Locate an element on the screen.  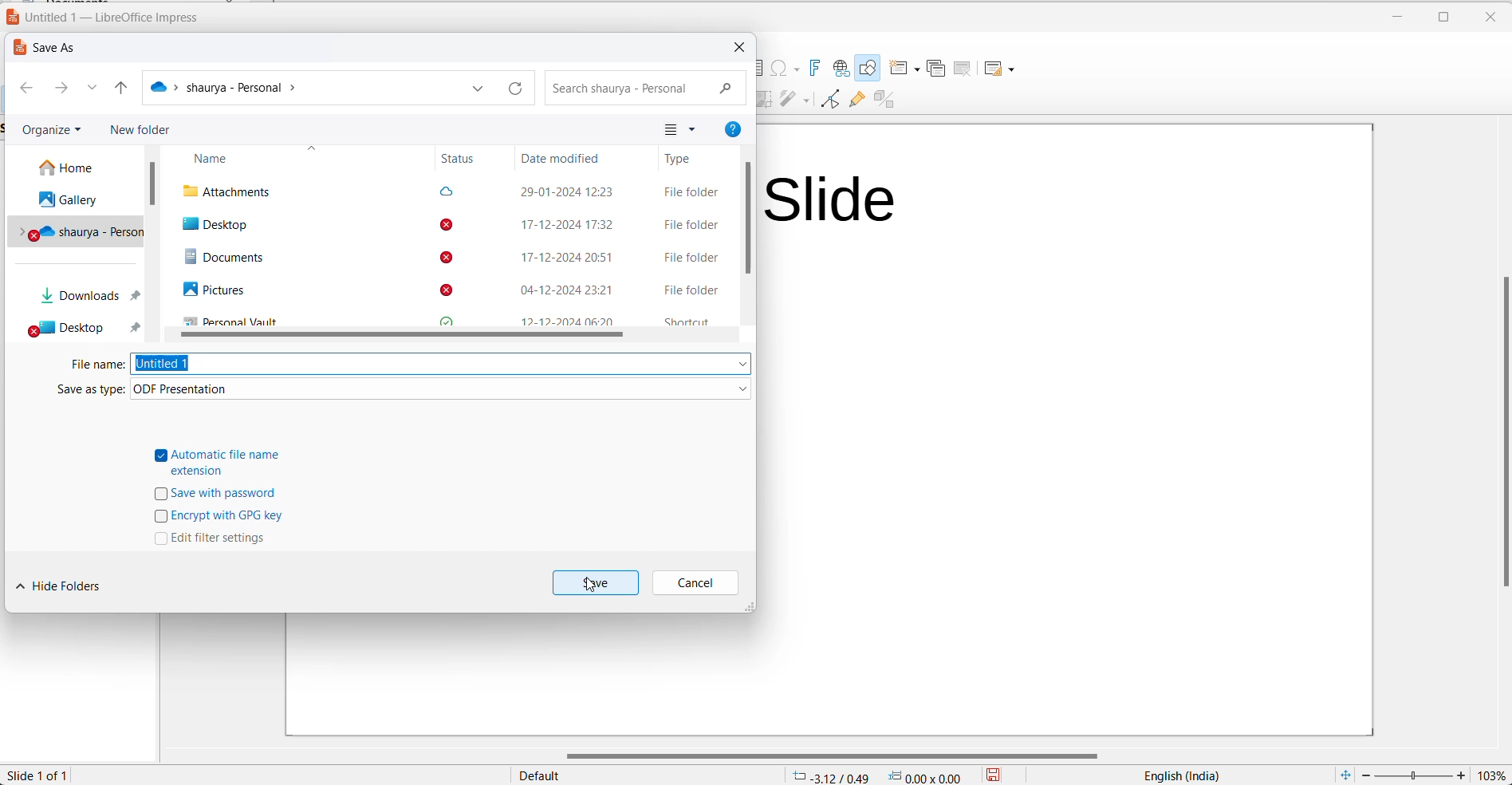
go back is located at coordinates (26, 88).